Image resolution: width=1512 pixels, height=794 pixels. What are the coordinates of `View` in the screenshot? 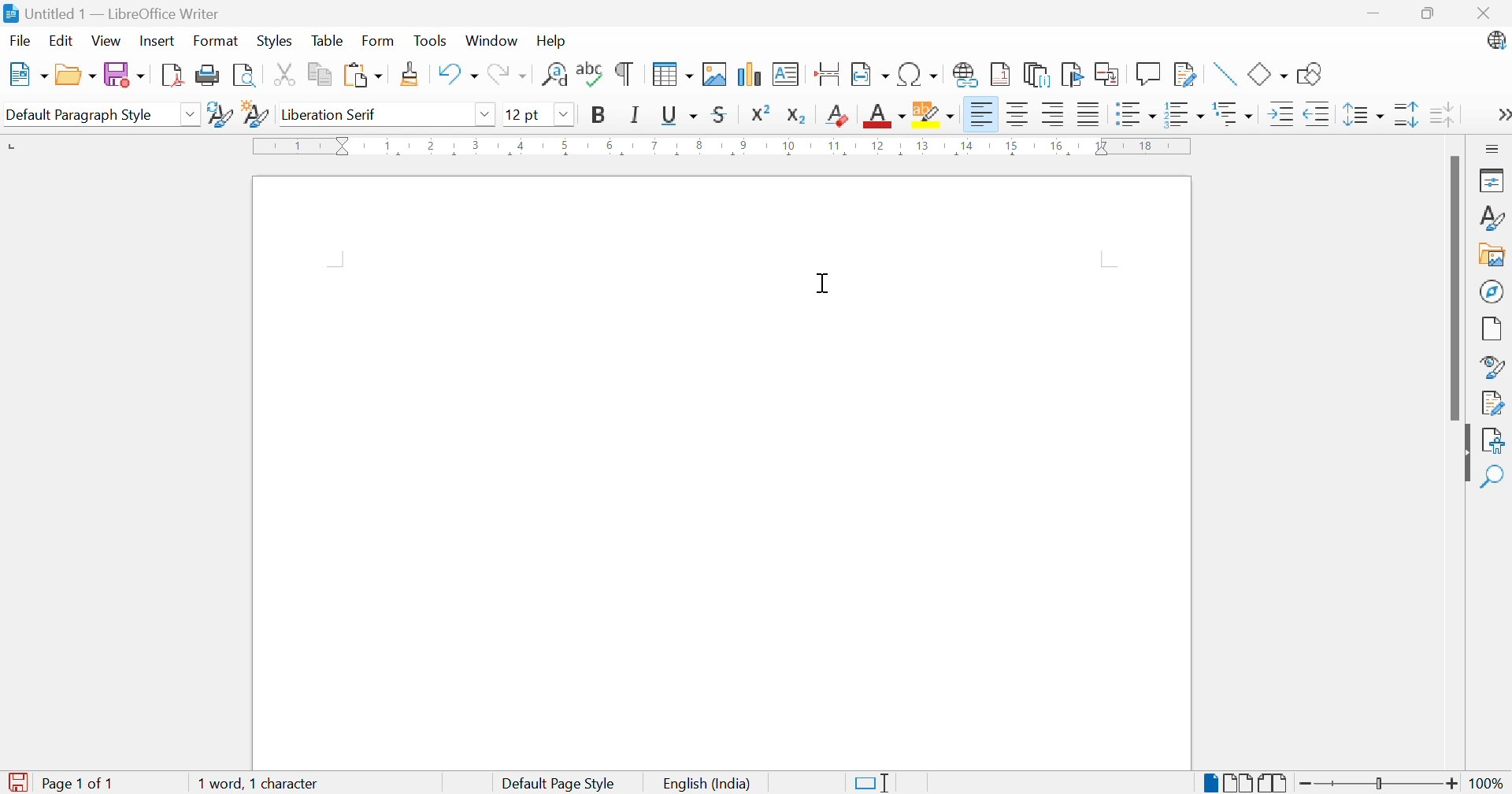 It's located at (107, 39).